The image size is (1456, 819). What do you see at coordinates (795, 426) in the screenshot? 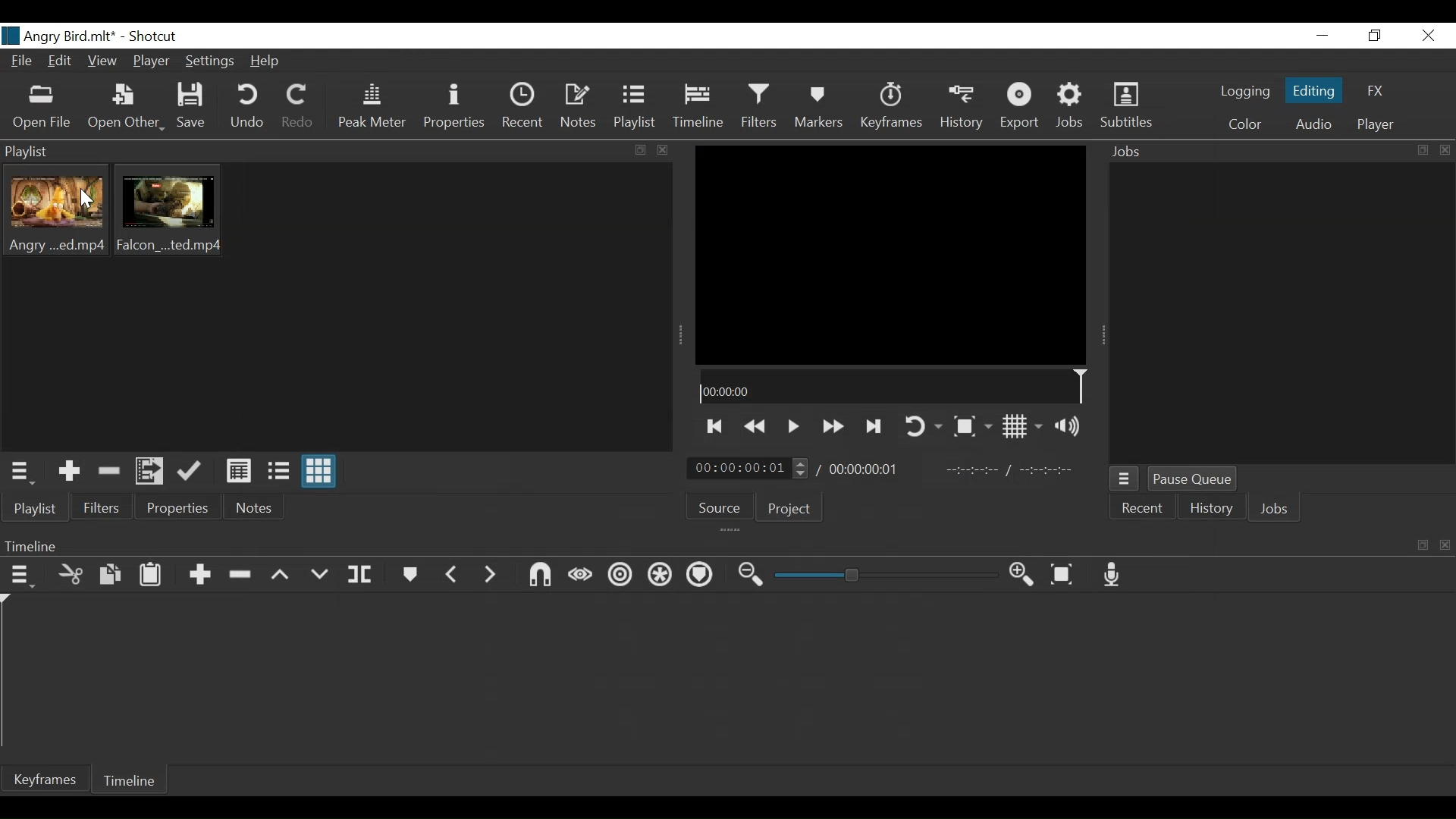
I see `Toggle play or pause` at bounding box center [795, 426].